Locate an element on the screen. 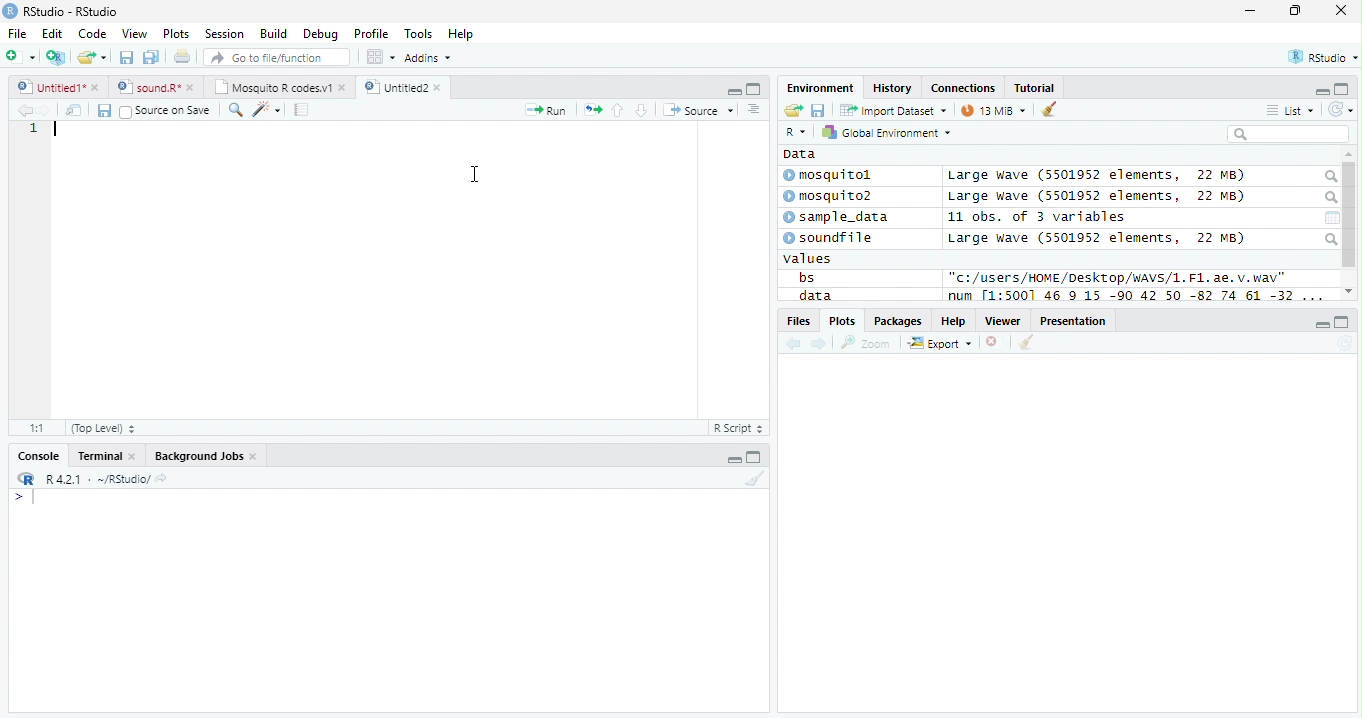 The height and width of the screenshot is (718, 1362). 11 obs. of 3 variables is located at coordinates (1037, 217).